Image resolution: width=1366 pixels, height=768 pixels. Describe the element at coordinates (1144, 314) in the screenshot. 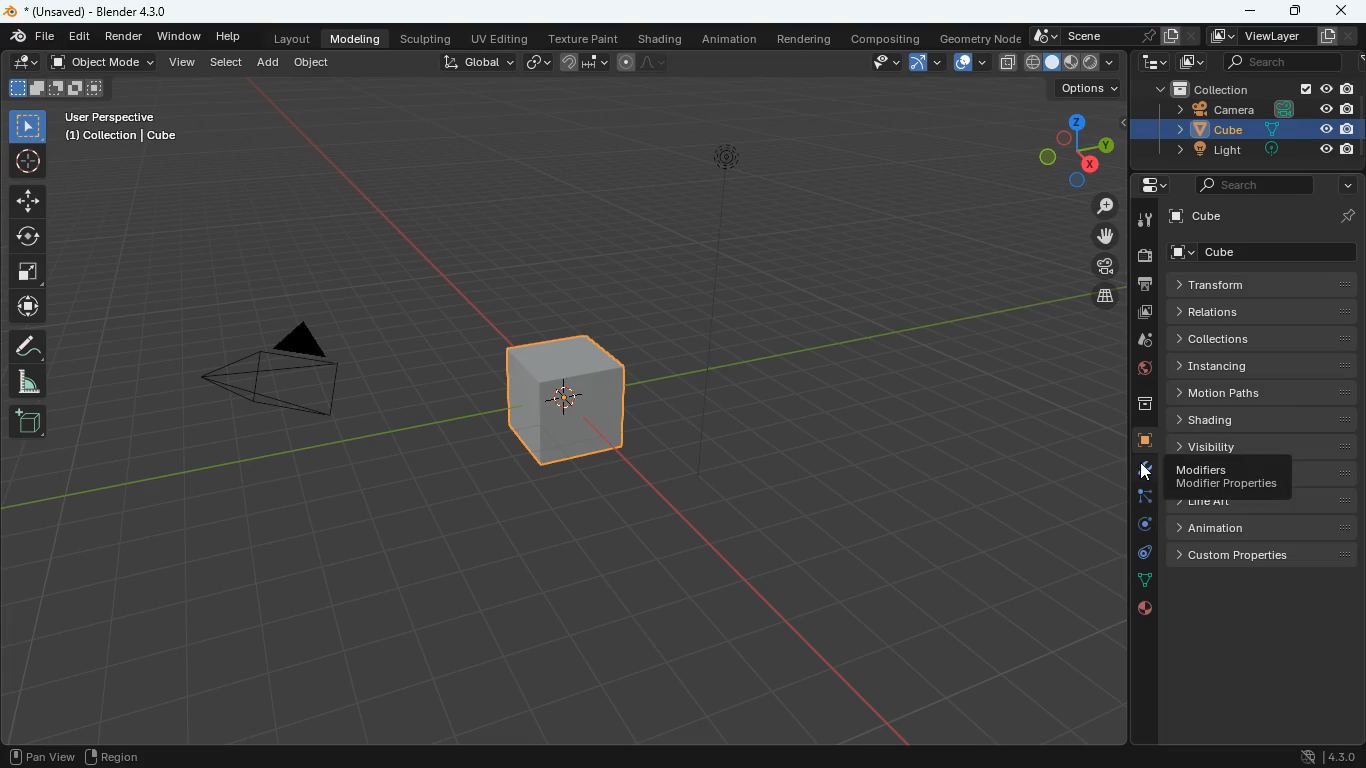

I see `image` at that location.